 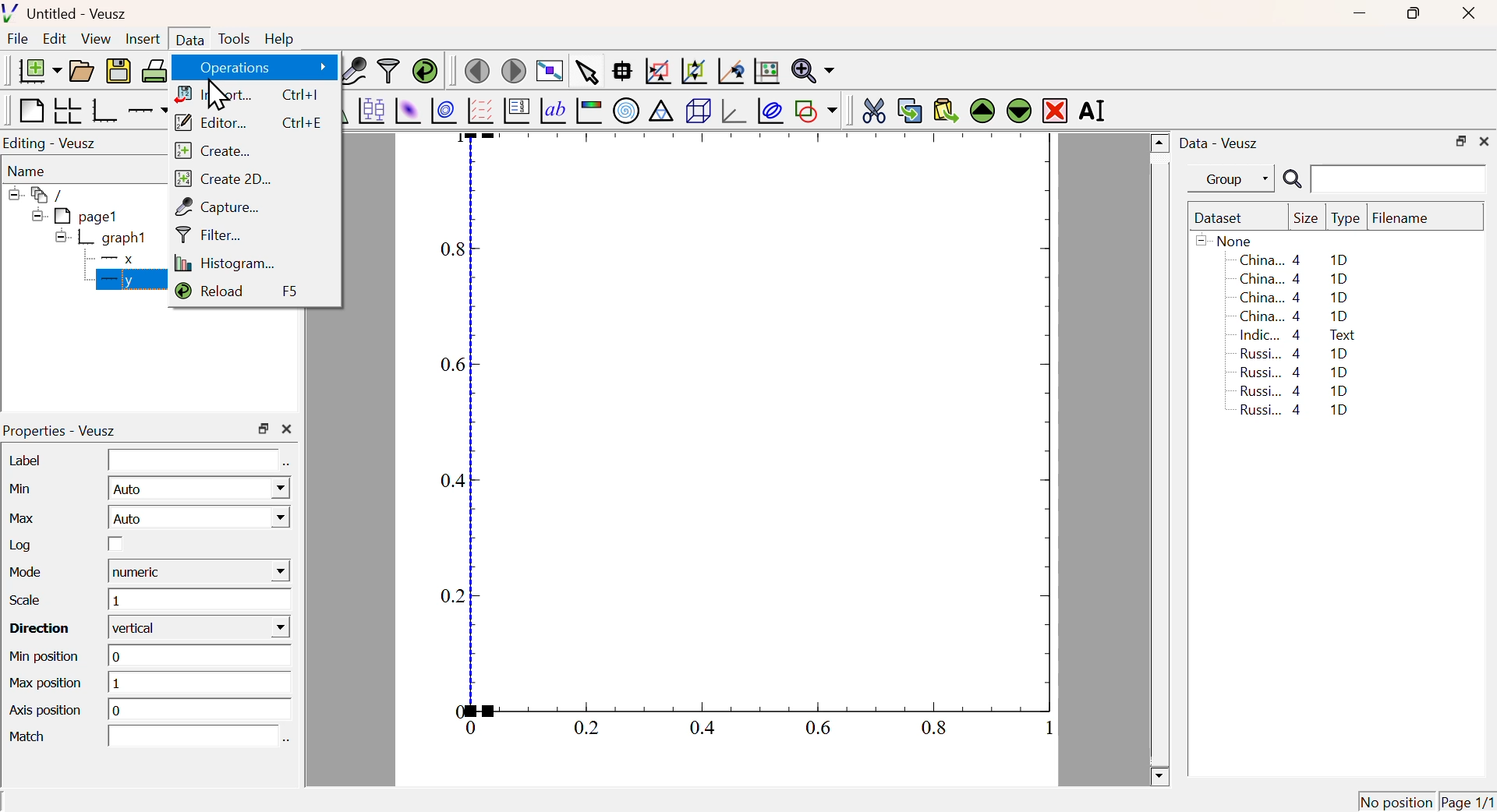 I want to click on Match, so click(x=30, y=738).